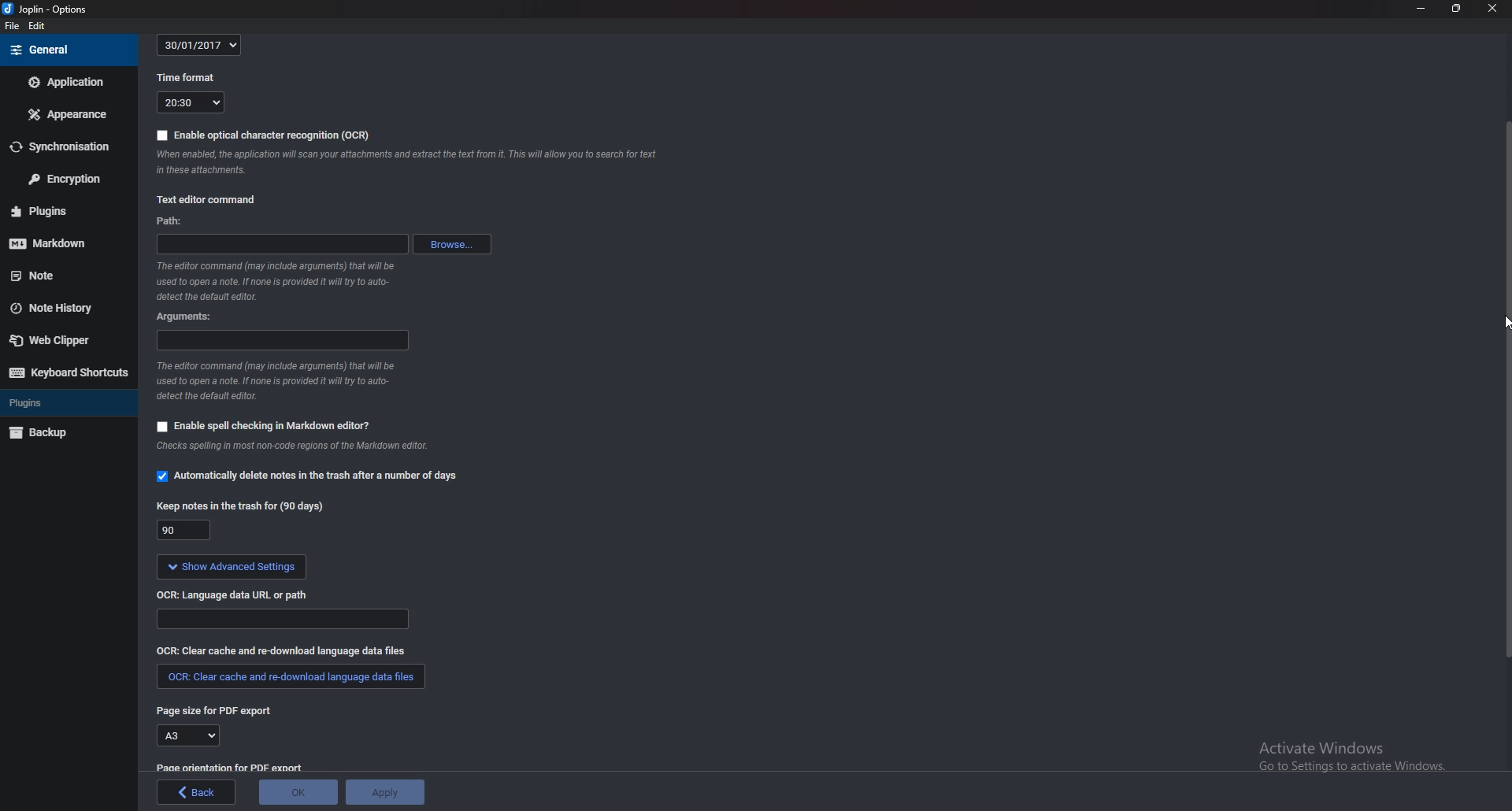 This screenshot has height=811, width=1512. What do you see at coordinates (196, 792) in the screenshot?
I see `back` at bounding box center [196, 792].